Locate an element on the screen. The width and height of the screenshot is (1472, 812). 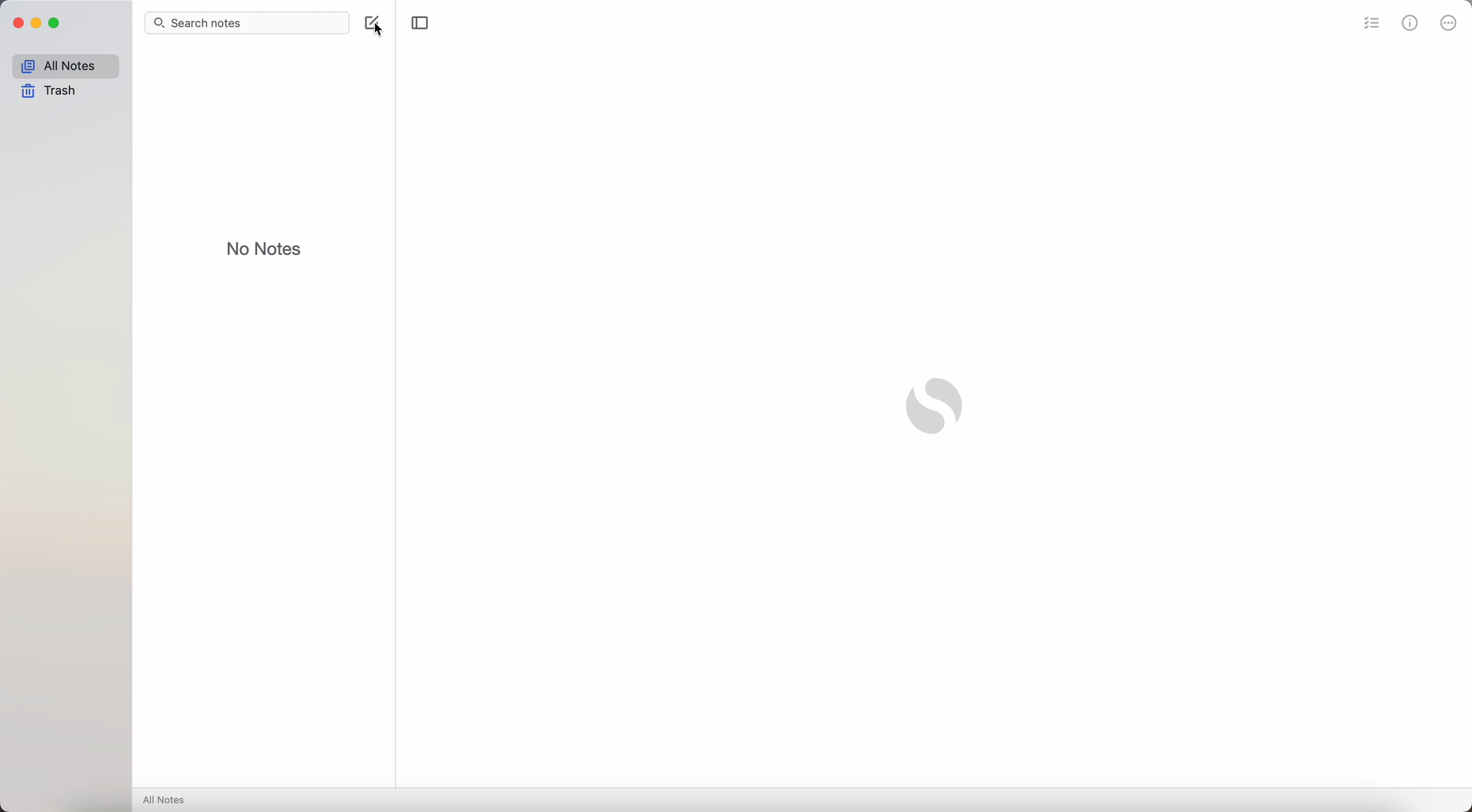
all notes is located at coordinates (166, 801).